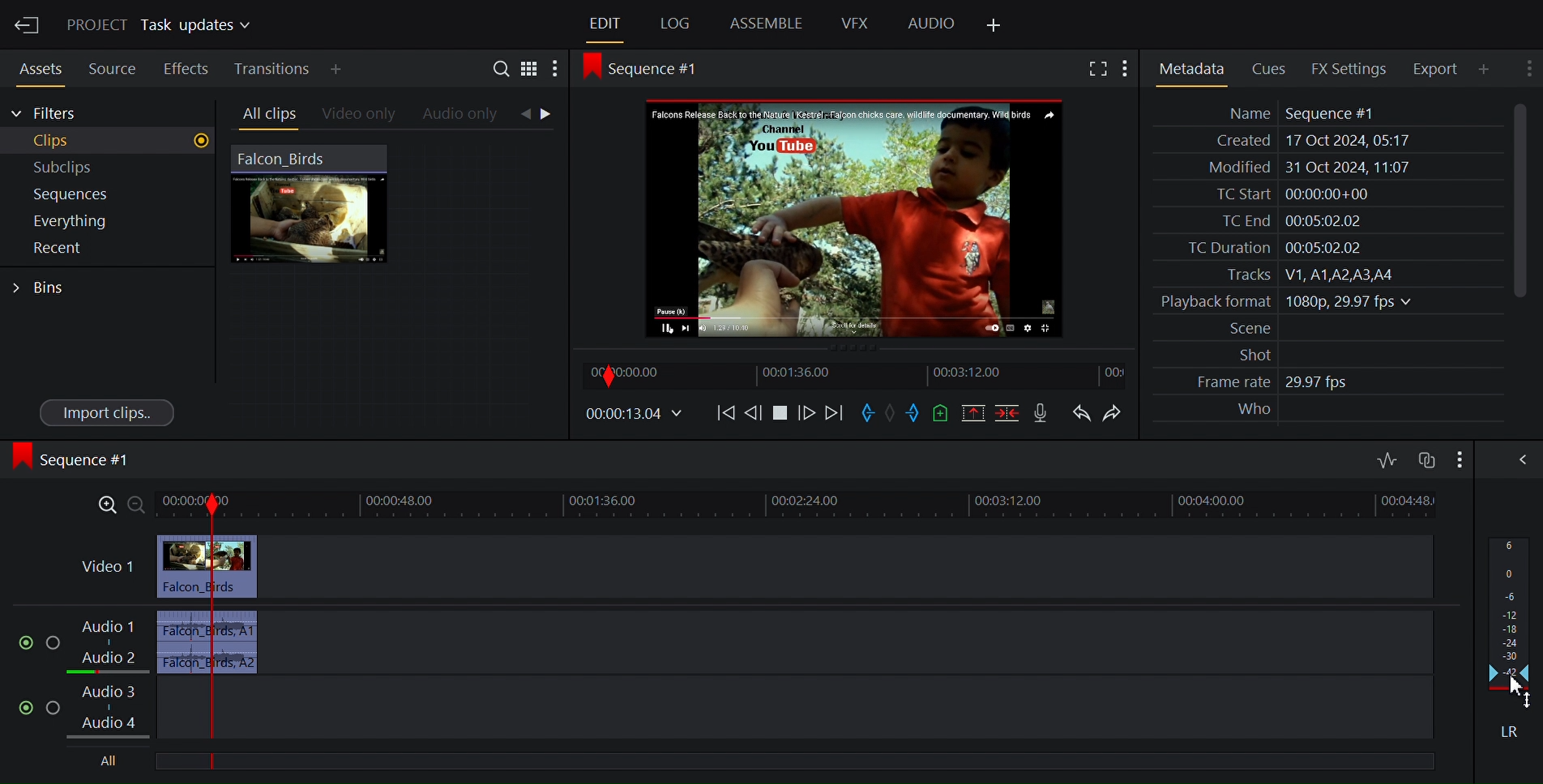 This screenshot has height=784, width=1543. Describe the element at coordinates (105, 568) in the screenshot. I see `Video 1` at that location.